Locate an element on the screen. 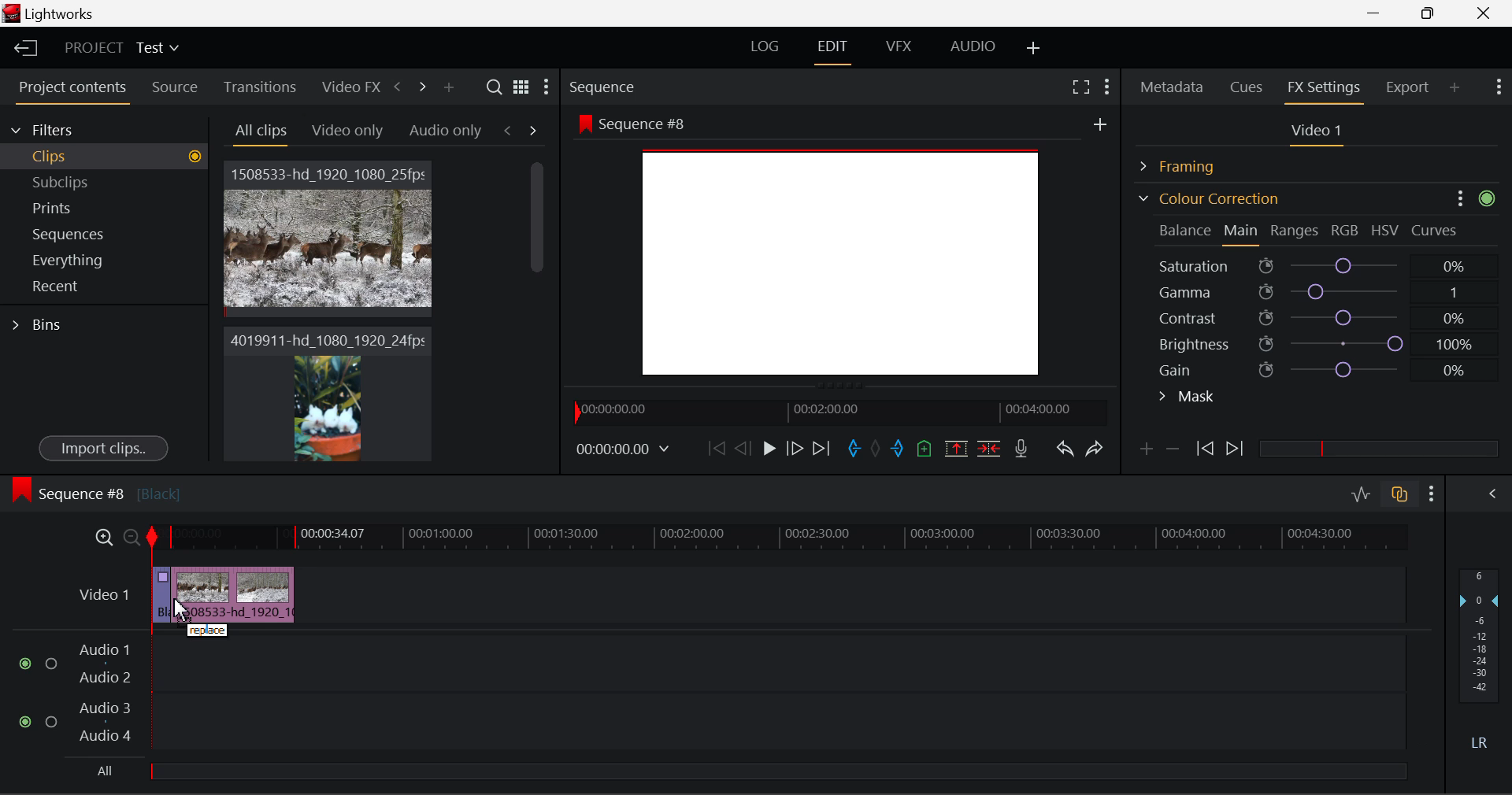  Import clips is located at coordinates (103, 449).